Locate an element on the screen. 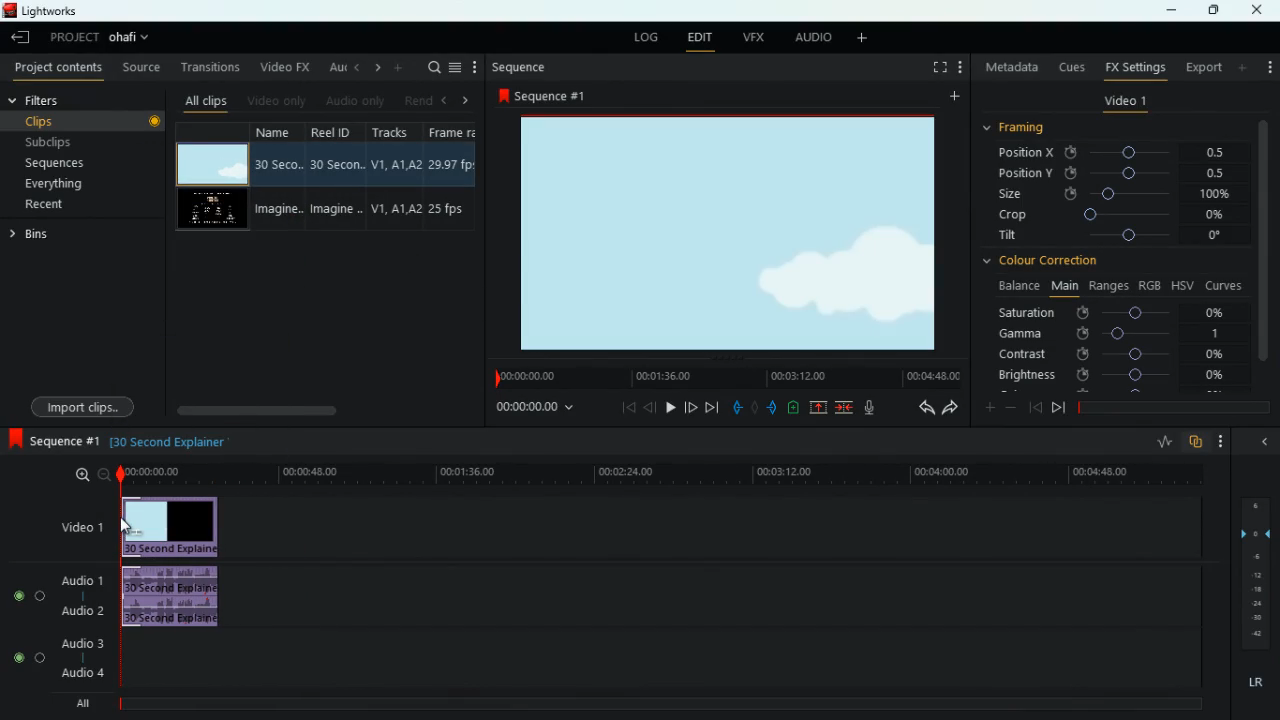  25 fps is located at coordinates (452, 208).